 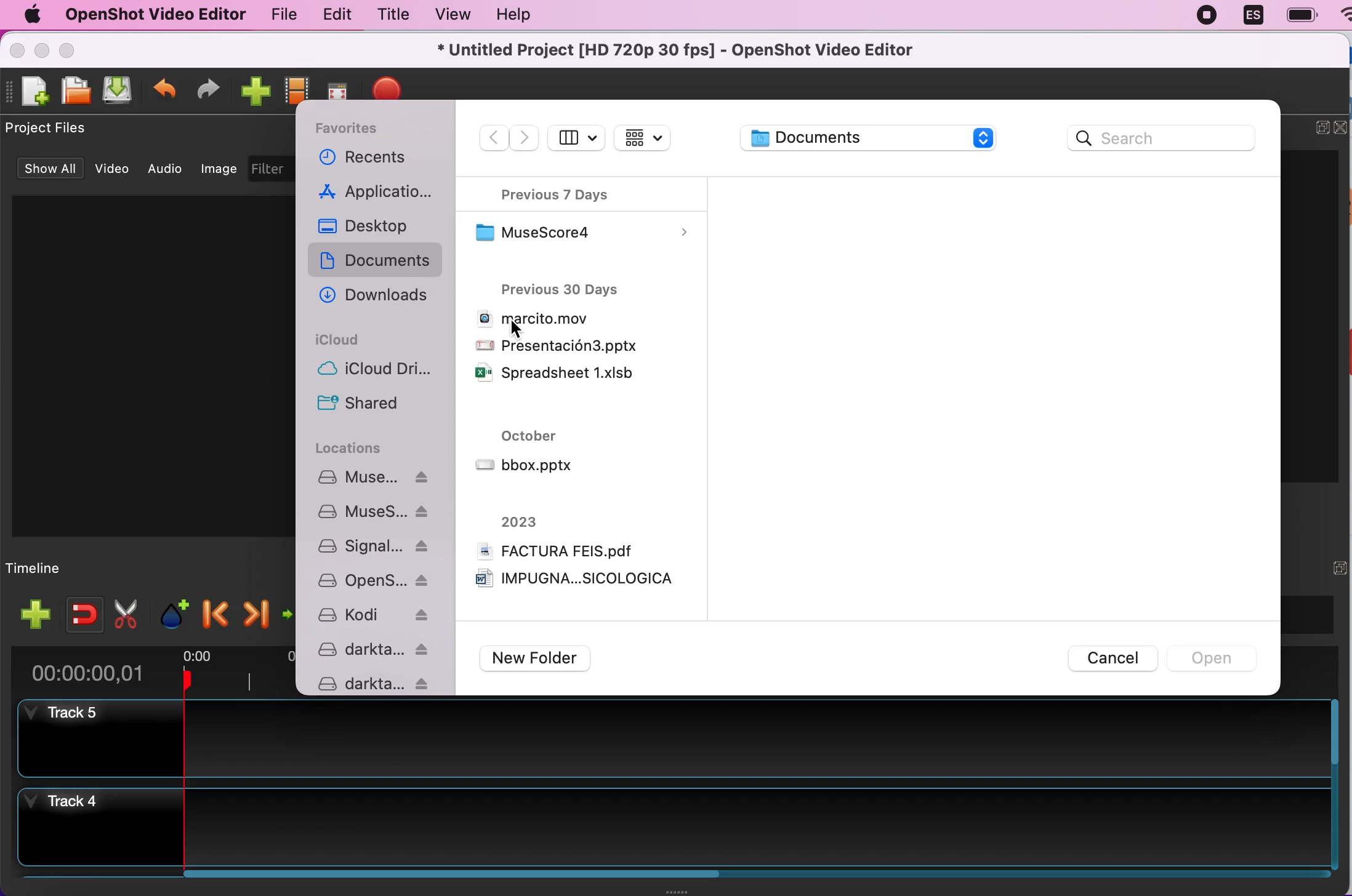 What do you see at coordinates (272, 166) in the screenshot?
I see `filter` at bounding box center [272, 166].